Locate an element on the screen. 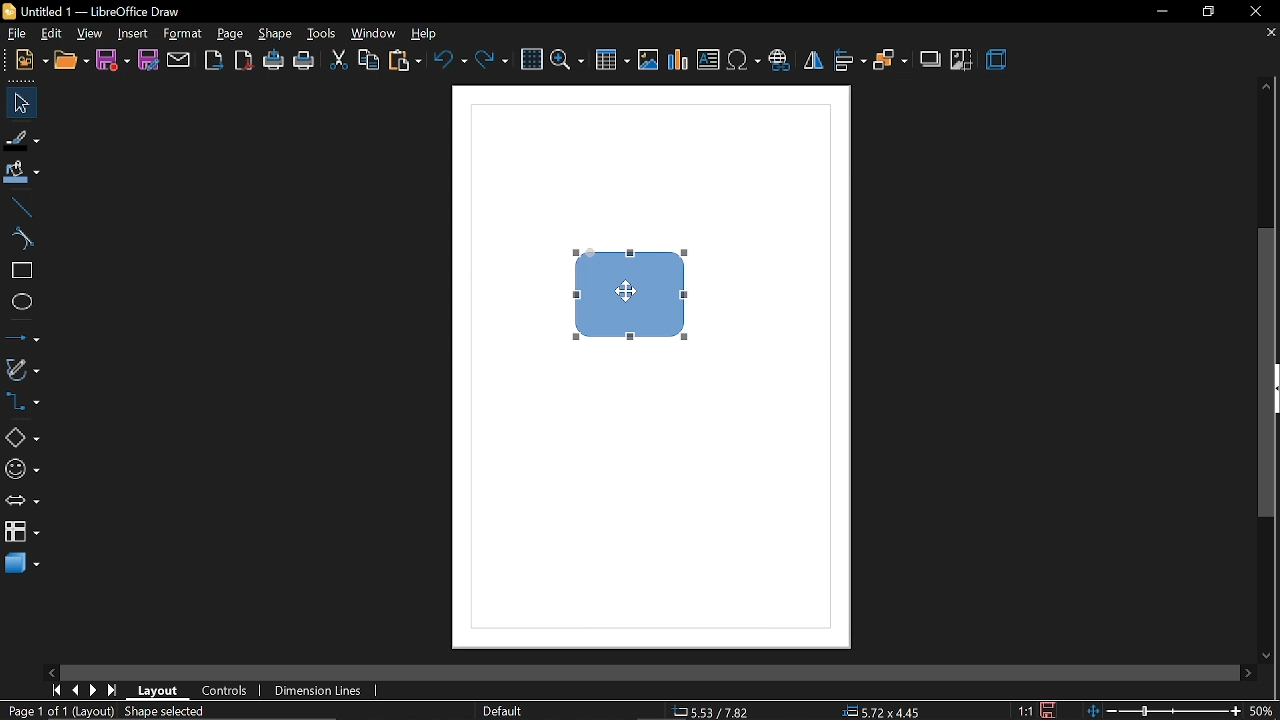  move left is located at coordinates (53, 673).